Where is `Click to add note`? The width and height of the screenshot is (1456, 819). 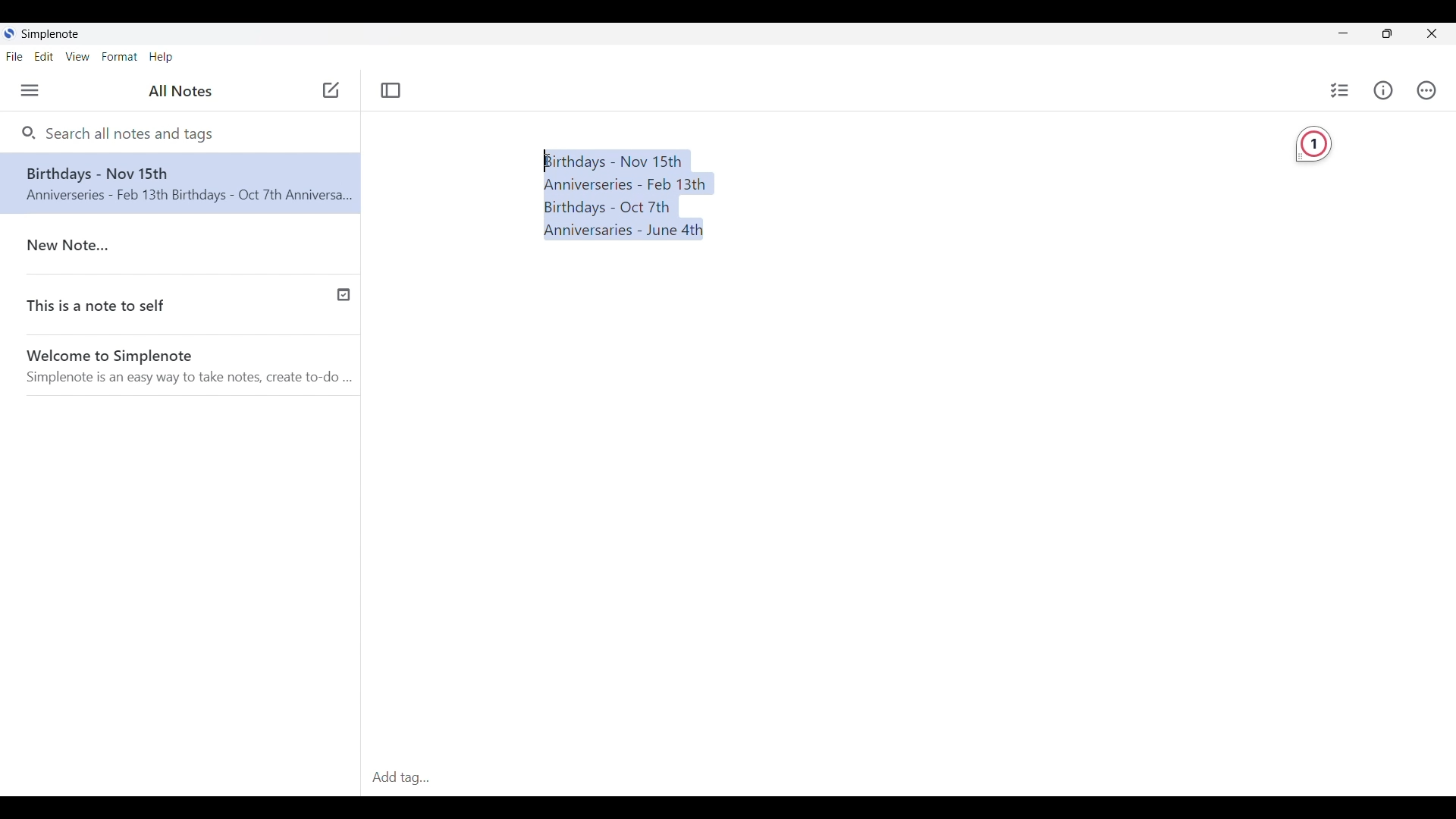
Click to add note is located at coordinates (331, 89).